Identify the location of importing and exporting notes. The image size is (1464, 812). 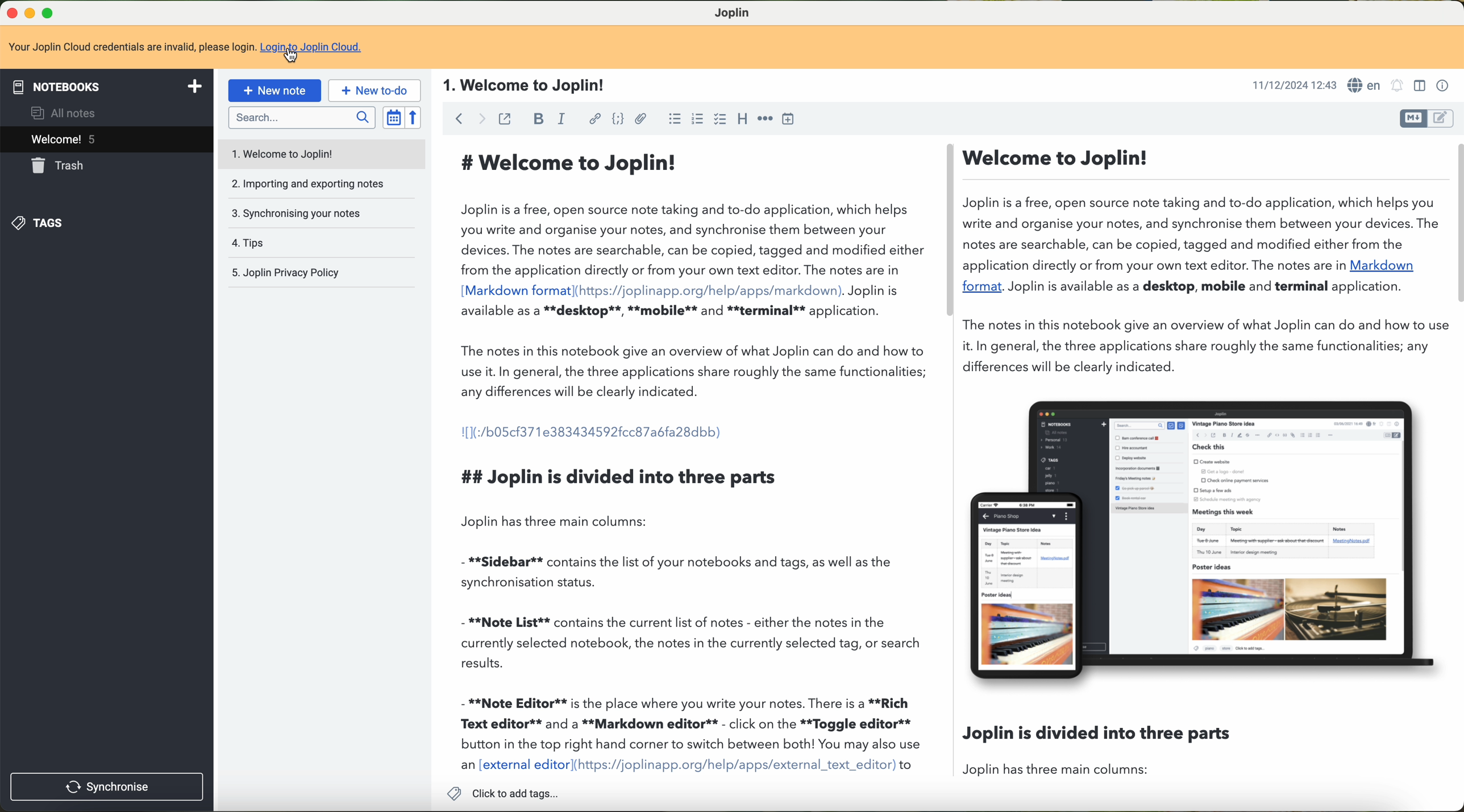
(323, 184).